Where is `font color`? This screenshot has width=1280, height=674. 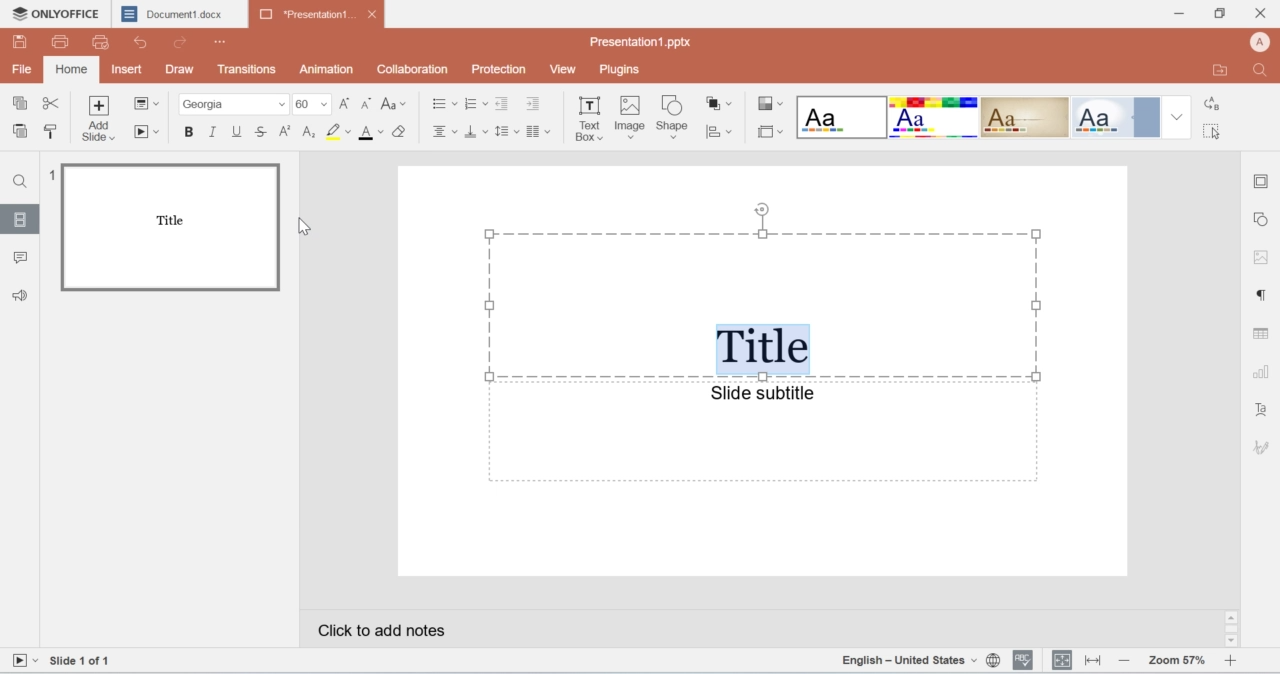 font color is located at coordinates (371, 134).